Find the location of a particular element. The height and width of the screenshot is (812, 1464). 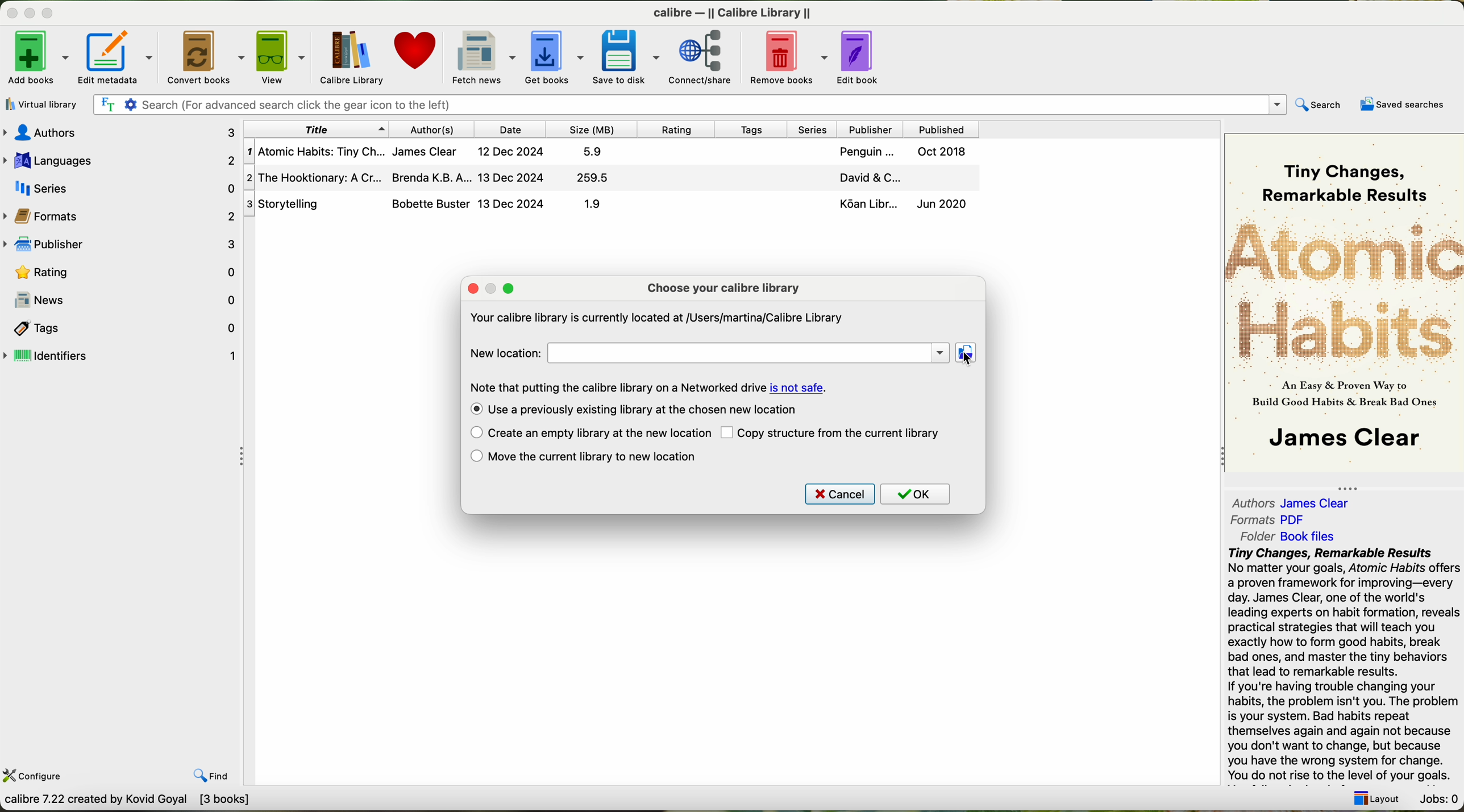

rating is located at coordinates (680, 129).